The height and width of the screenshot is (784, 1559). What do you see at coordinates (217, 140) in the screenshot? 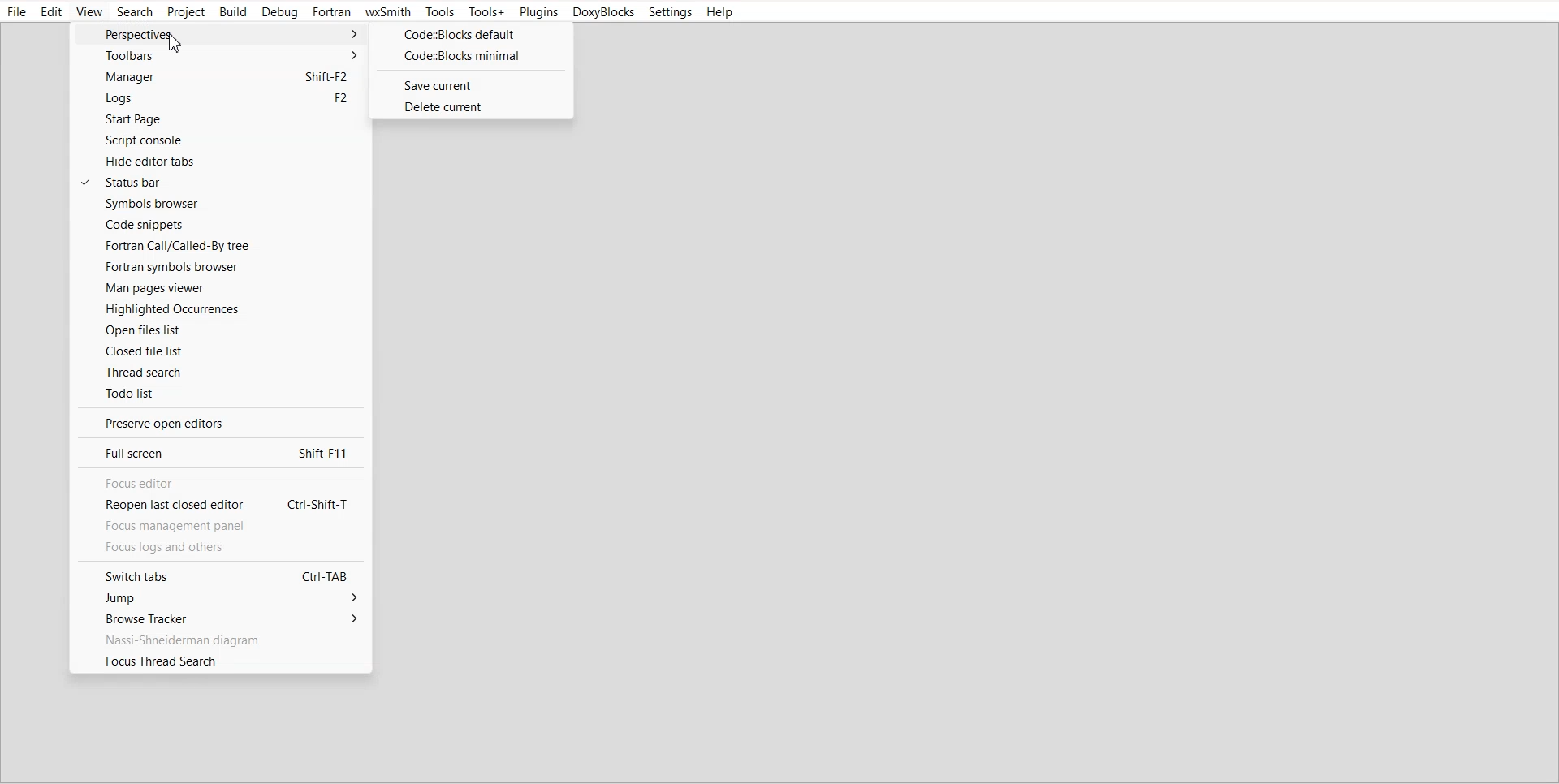
I see `Script console` at bounding box center [217, 140].